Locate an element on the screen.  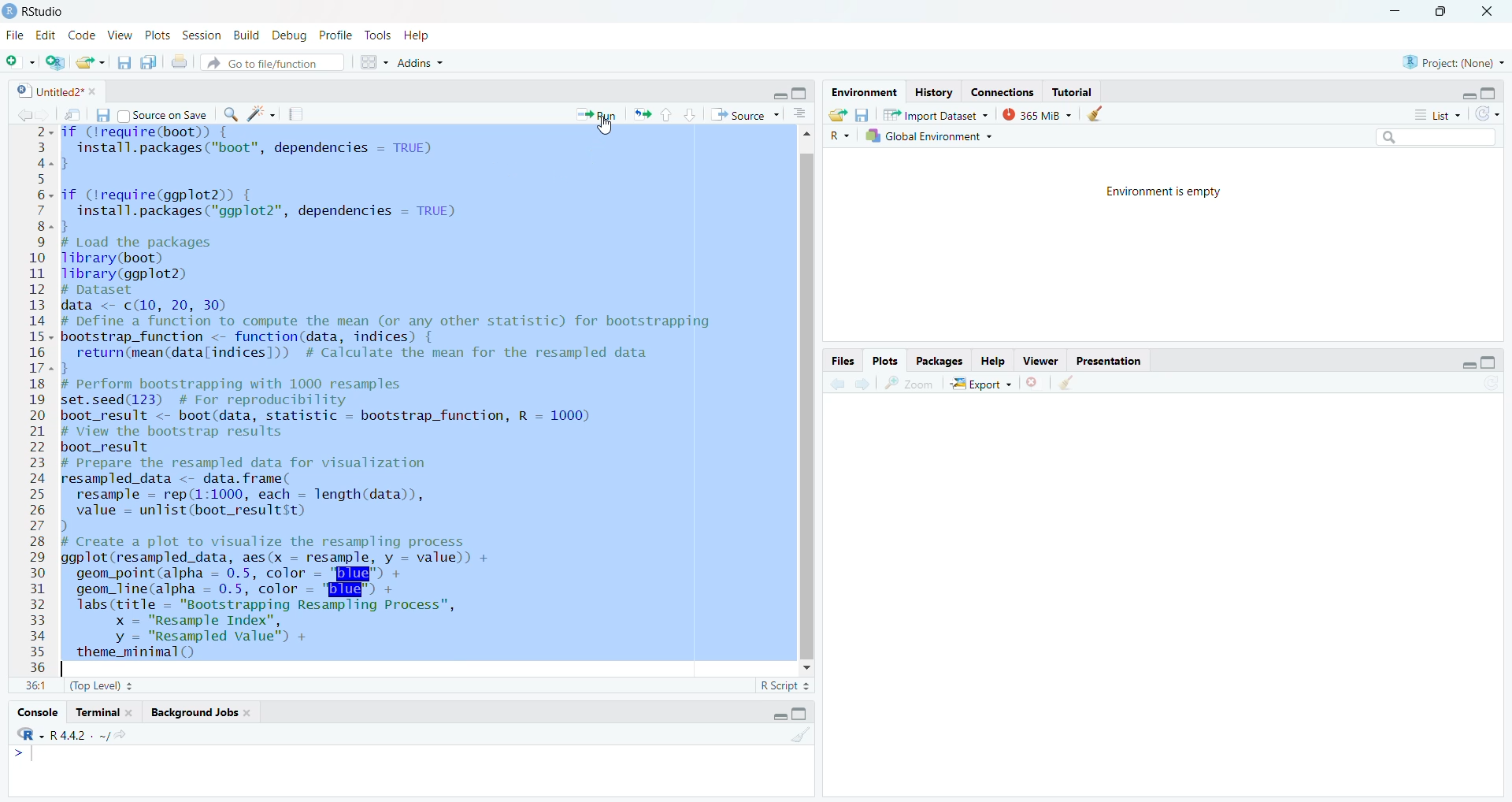
open an existing file is located at coordinates (91, 61).